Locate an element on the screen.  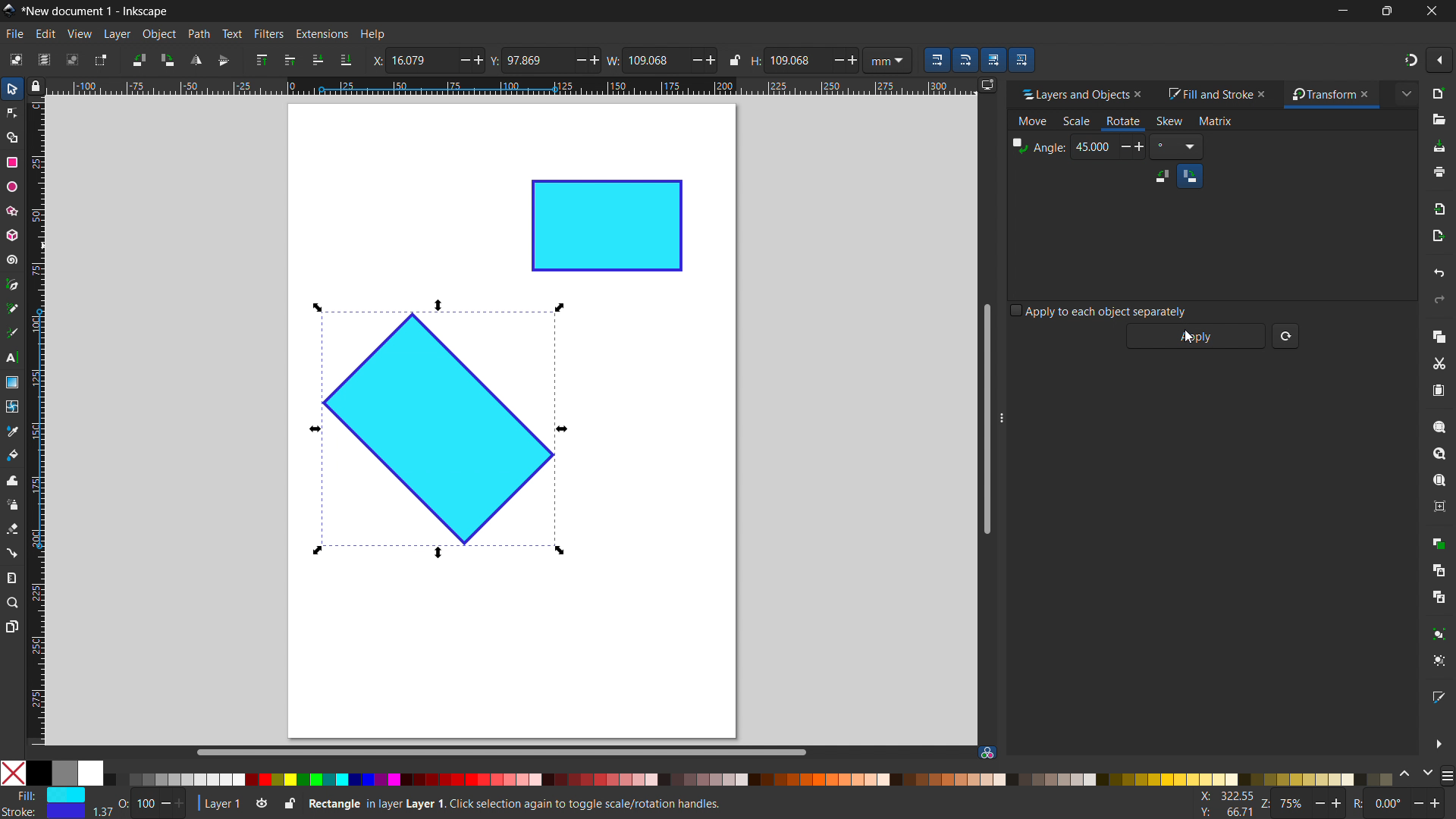
close is located at coordinates (1265, 93).